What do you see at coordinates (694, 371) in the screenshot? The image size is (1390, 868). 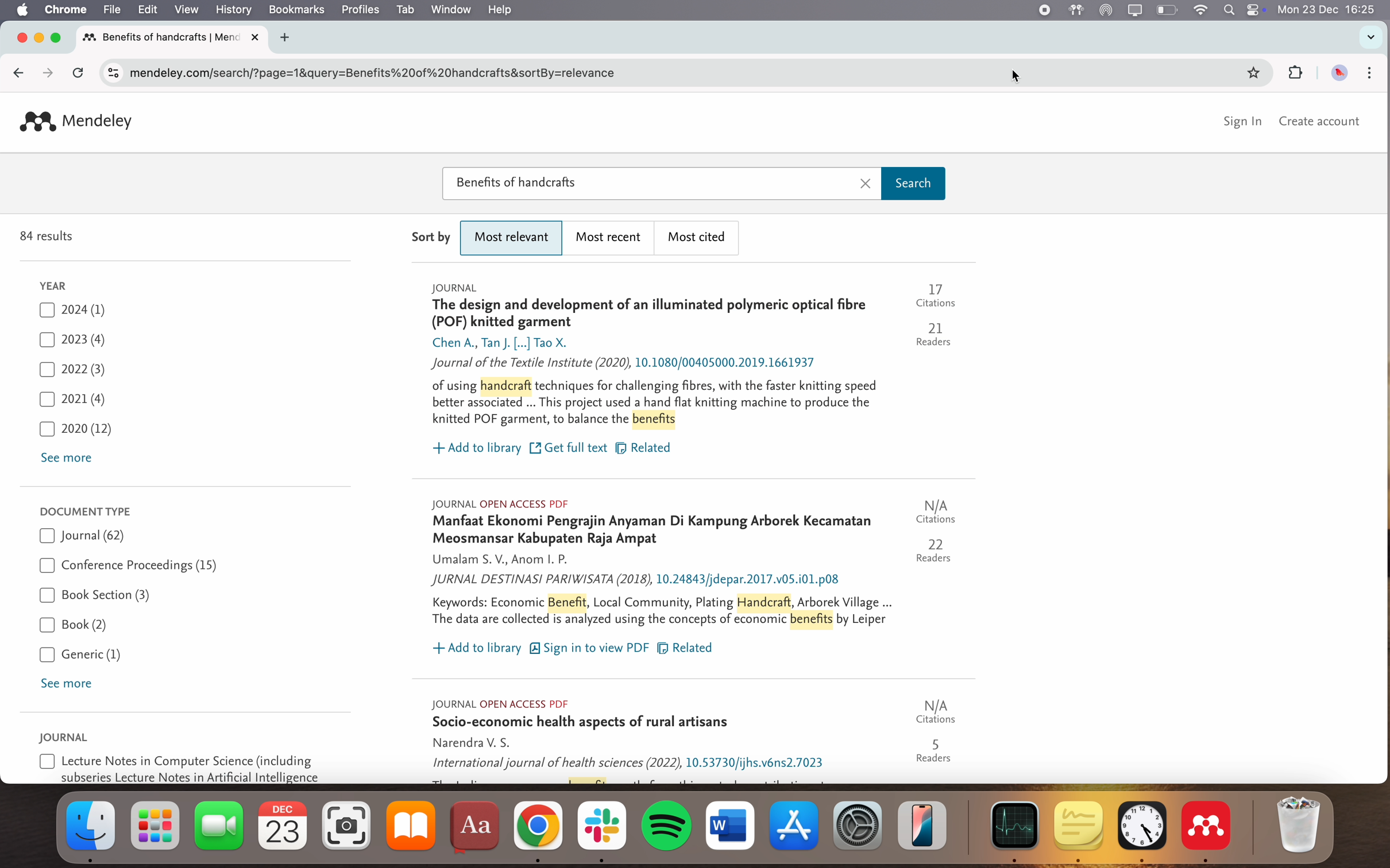 I see `article` at bounding box center [694, 371].